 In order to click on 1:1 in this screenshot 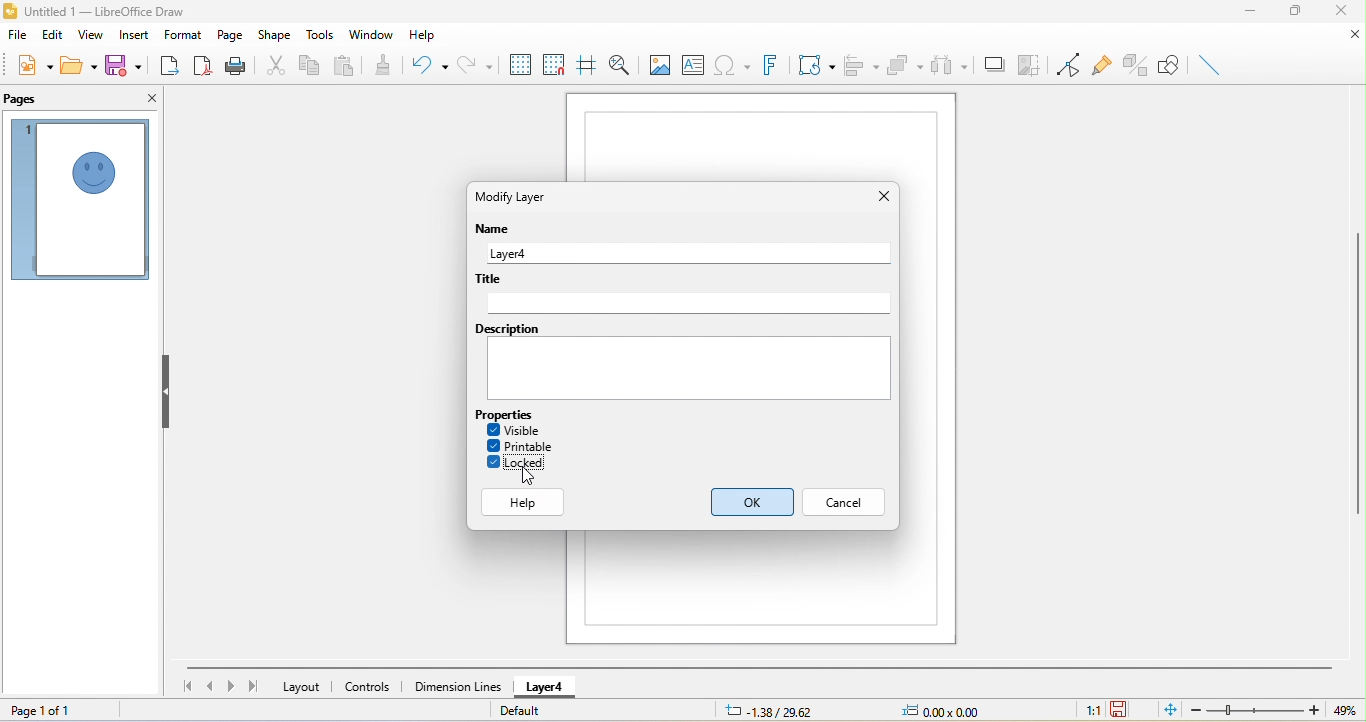, I will do `click(1092, 711)`.